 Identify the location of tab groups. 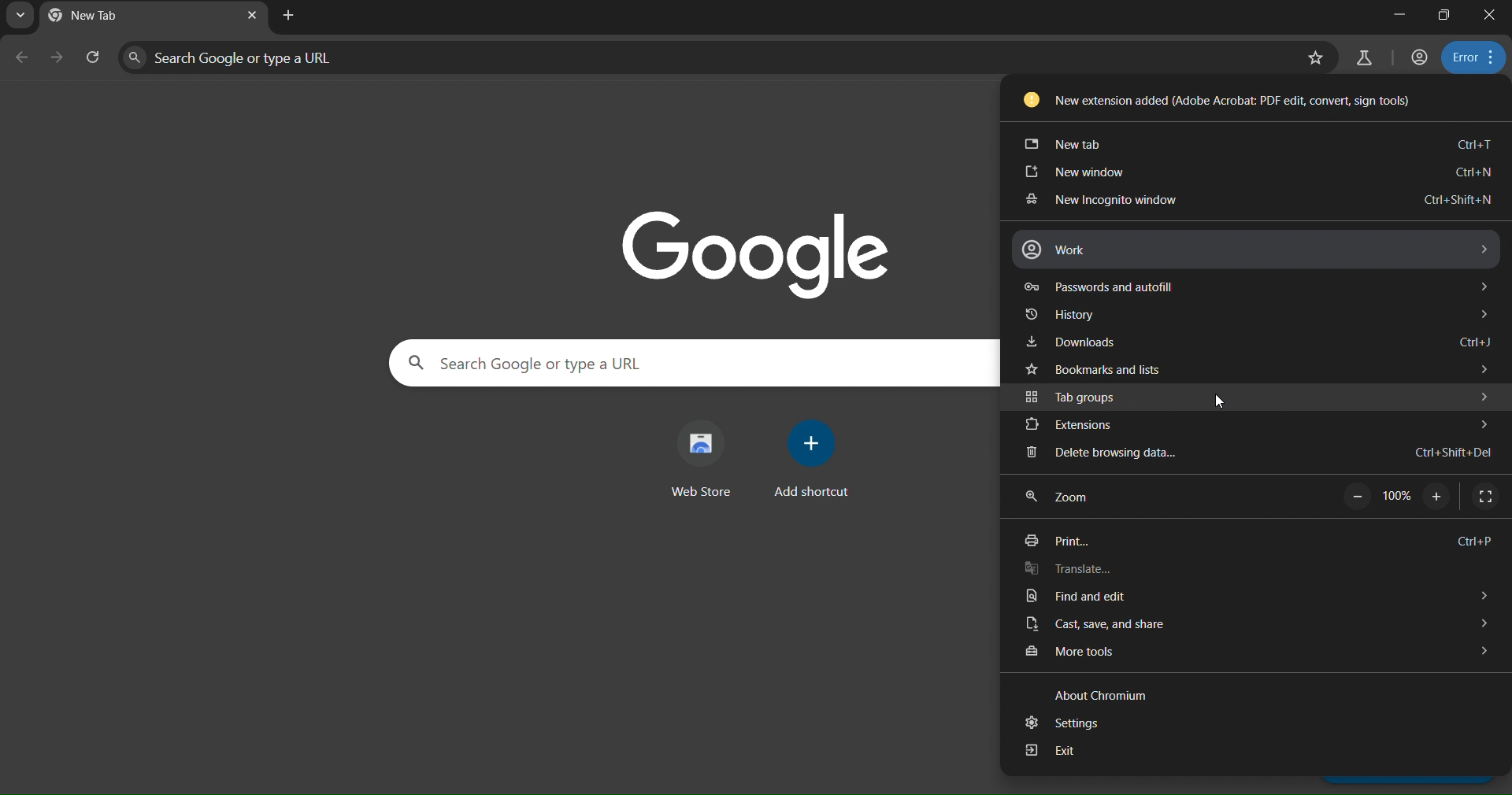
(1262, 397).